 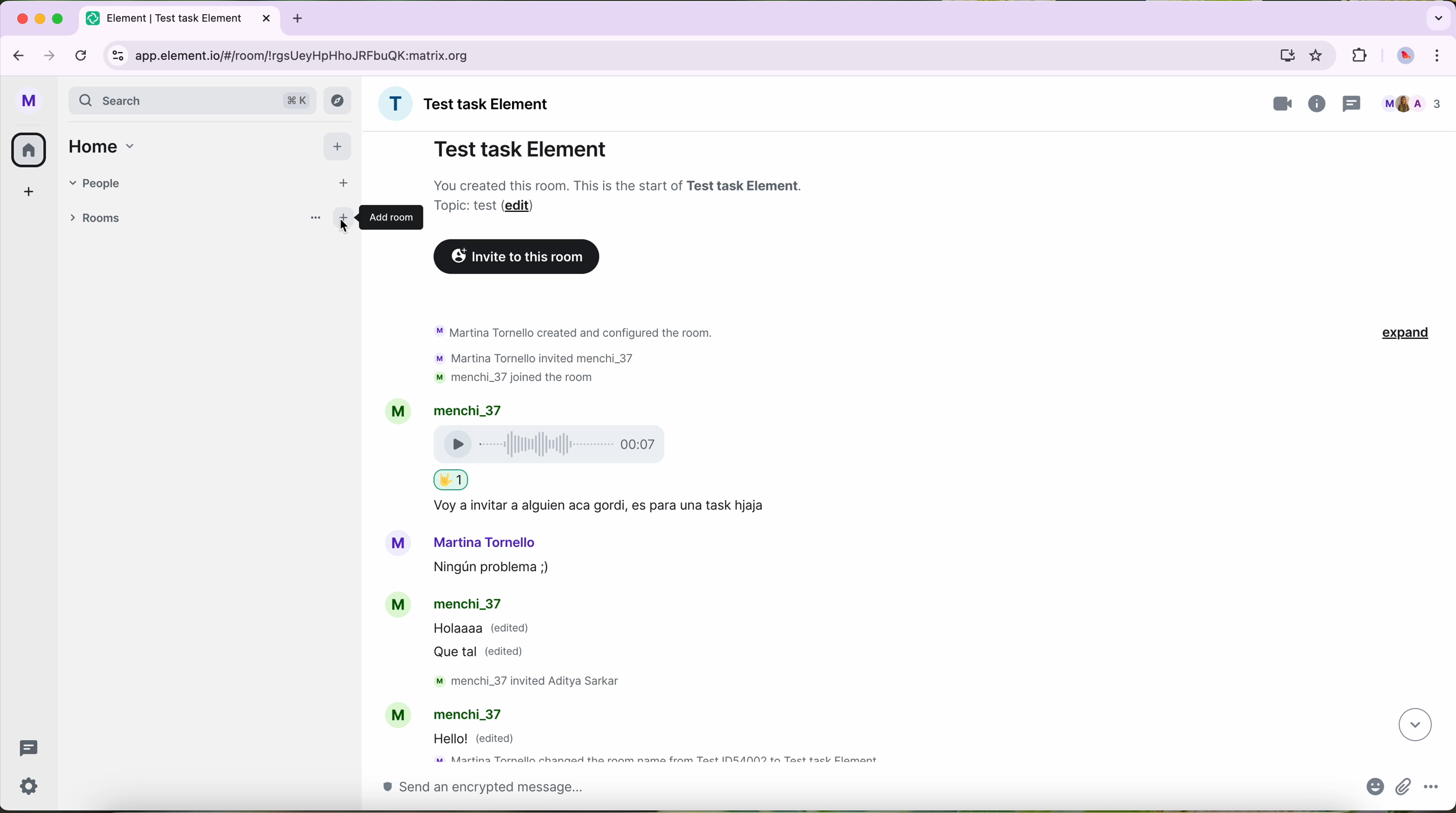 What do you see at coordinates (493, 644) in the screenshot?
I see `message` at bounding box center [493, 644].